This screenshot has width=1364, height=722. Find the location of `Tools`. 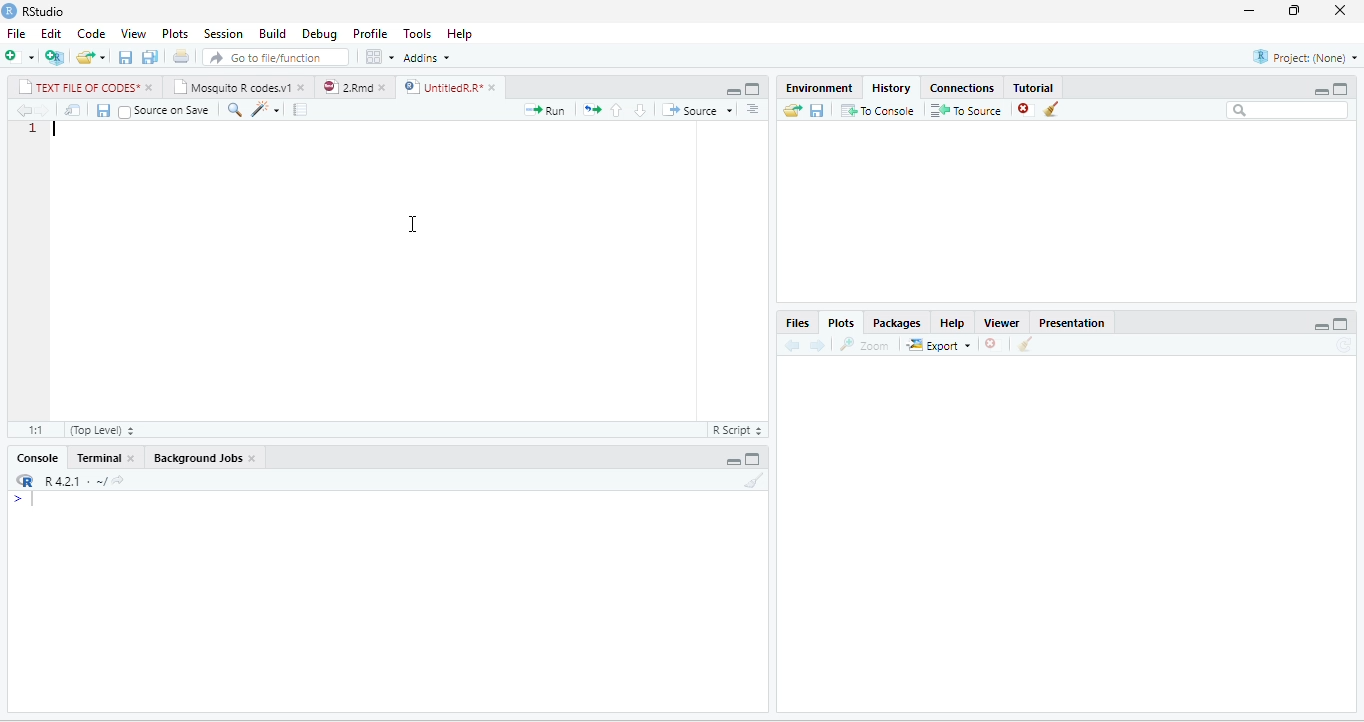

Tools is located at coordinates (419, 34).